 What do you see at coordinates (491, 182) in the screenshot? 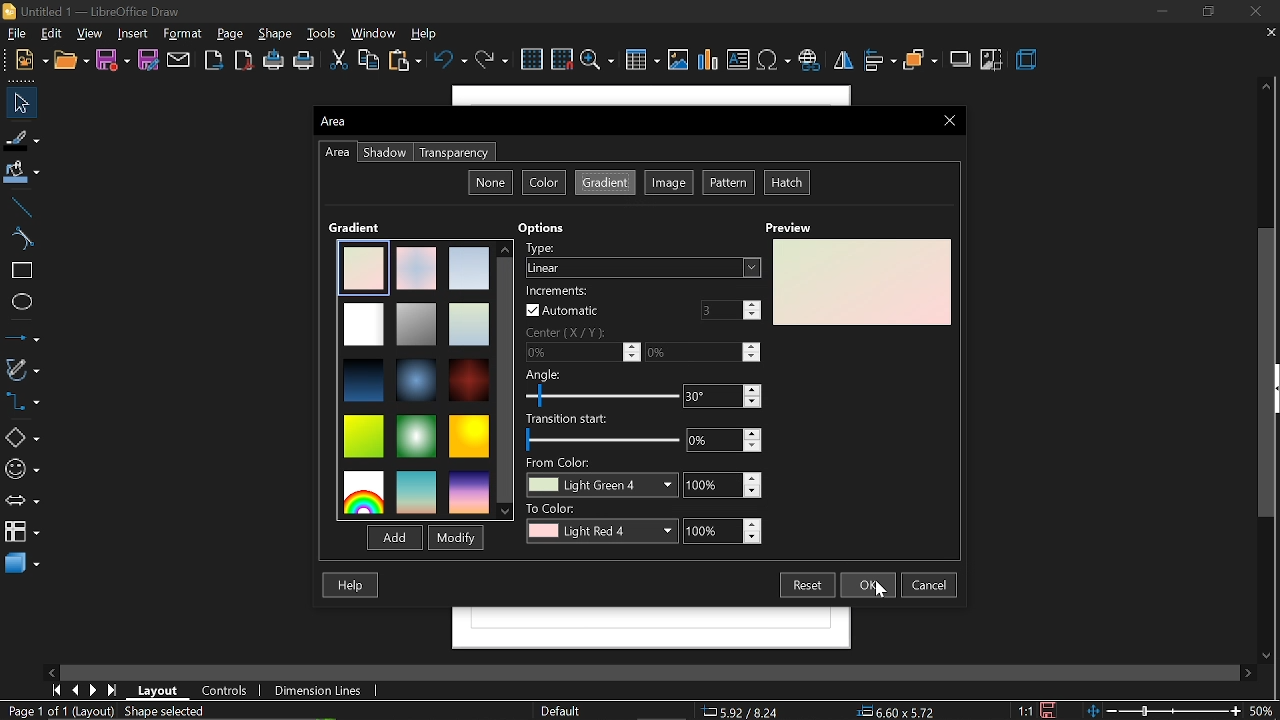
I see `None` at bounding box center [491, 182].